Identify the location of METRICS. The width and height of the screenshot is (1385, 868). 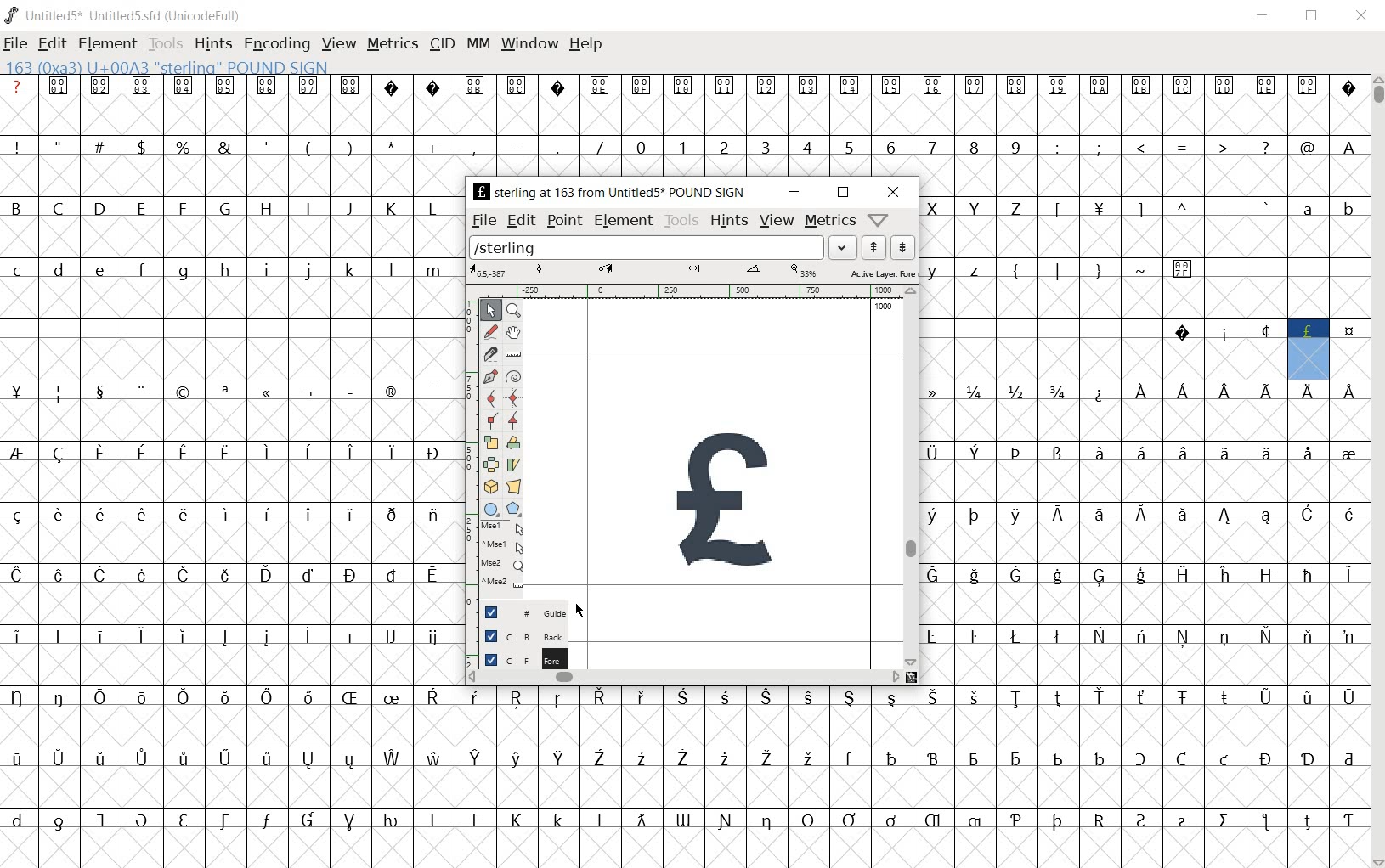
(391, 46).